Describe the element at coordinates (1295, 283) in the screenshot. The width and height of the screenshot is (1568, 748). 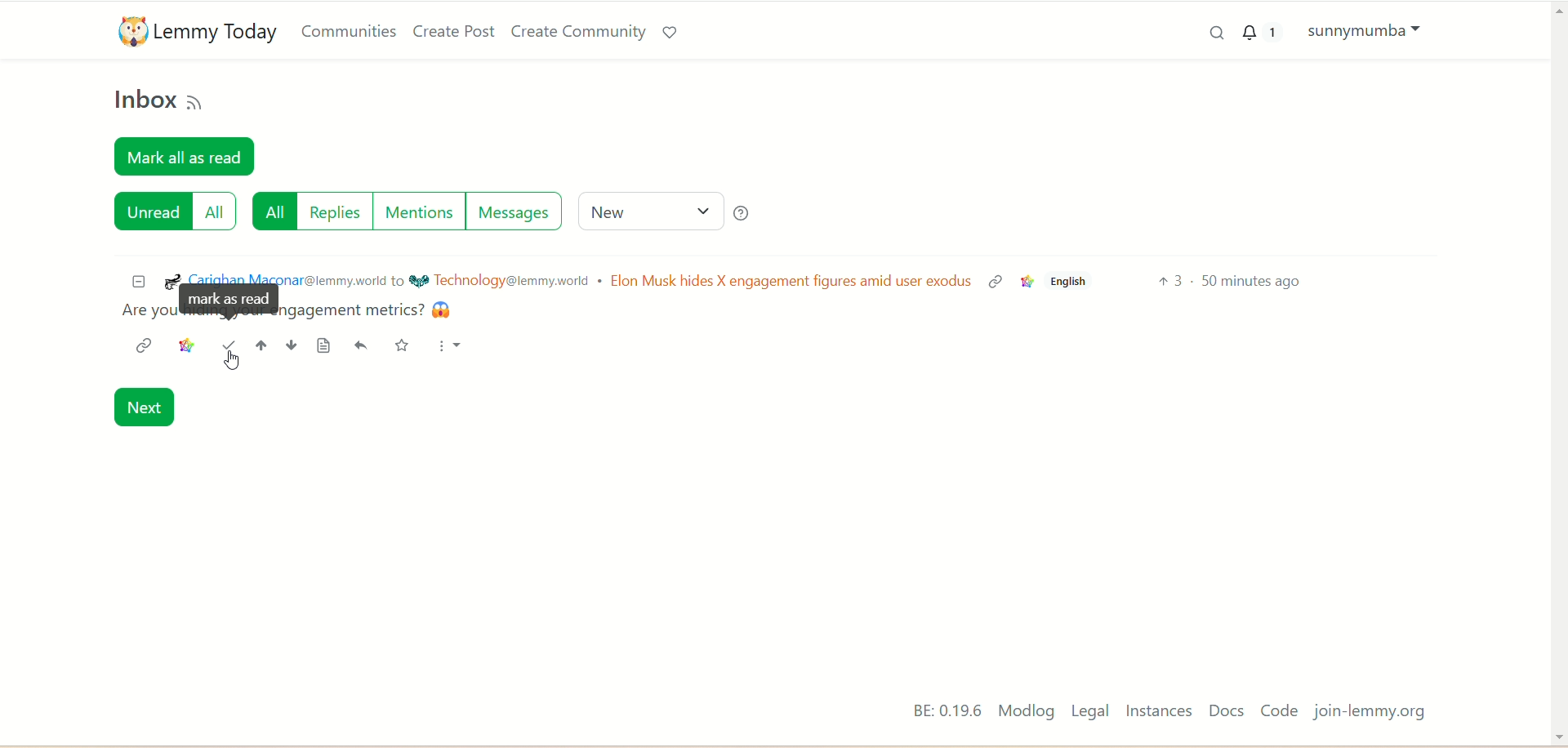
I see `time (50 minutes ago)` at that location.